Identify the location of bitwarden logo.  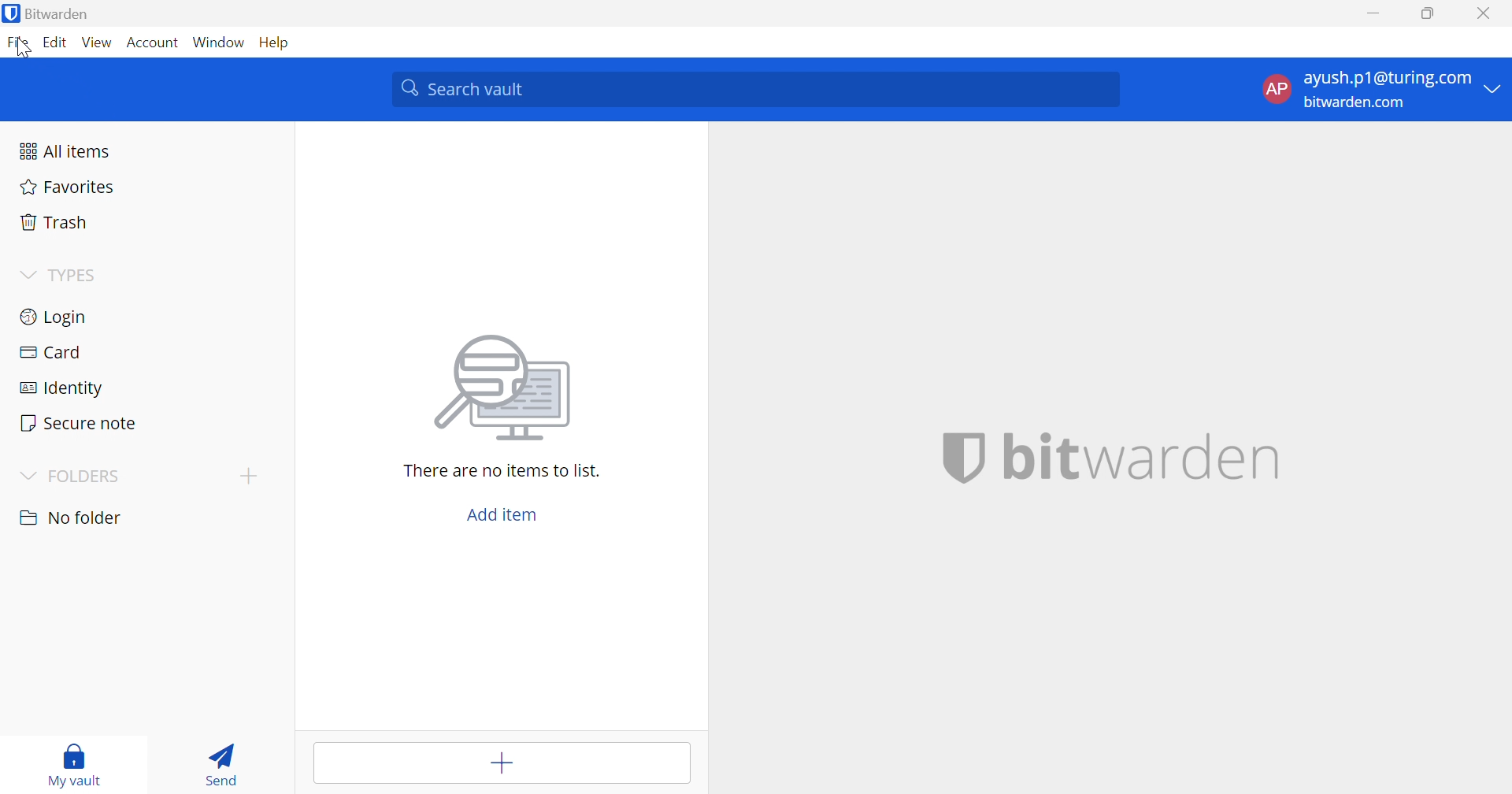
(963, 457).